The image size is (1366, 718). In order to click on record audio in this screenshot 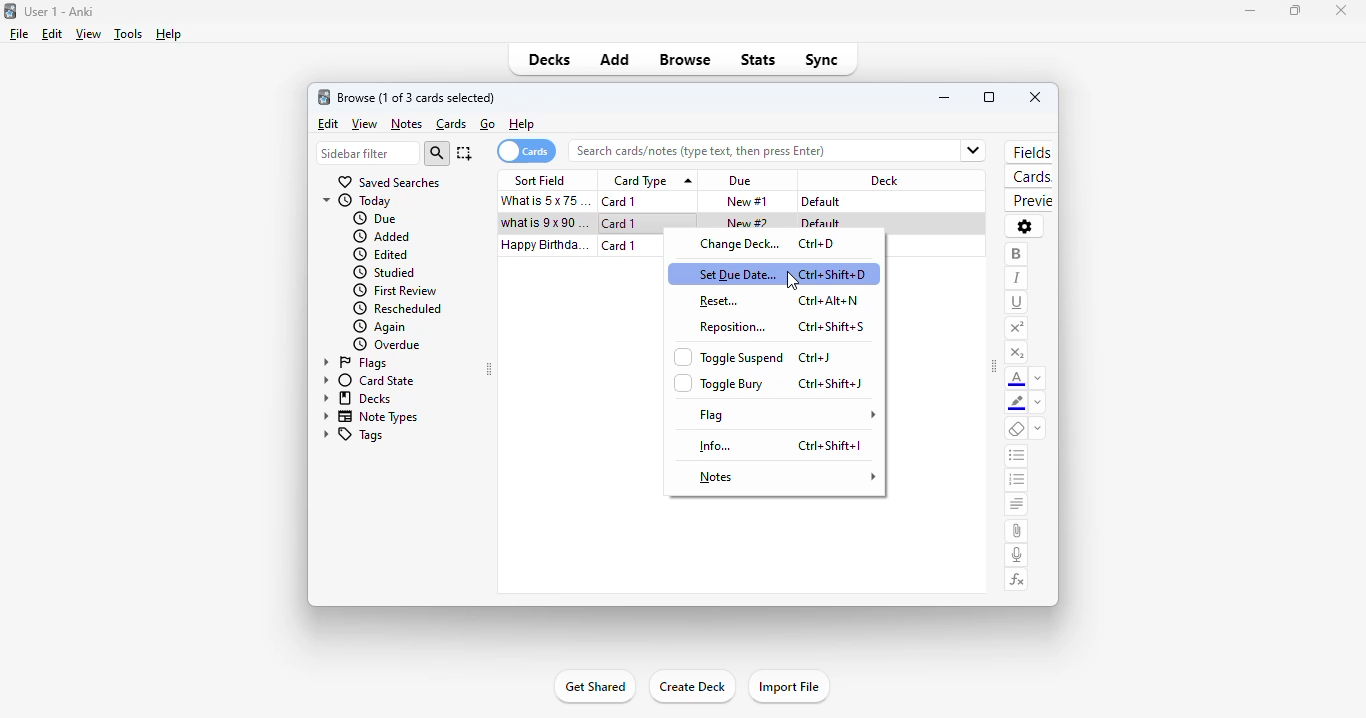, I will do `click(1017, 555)`.